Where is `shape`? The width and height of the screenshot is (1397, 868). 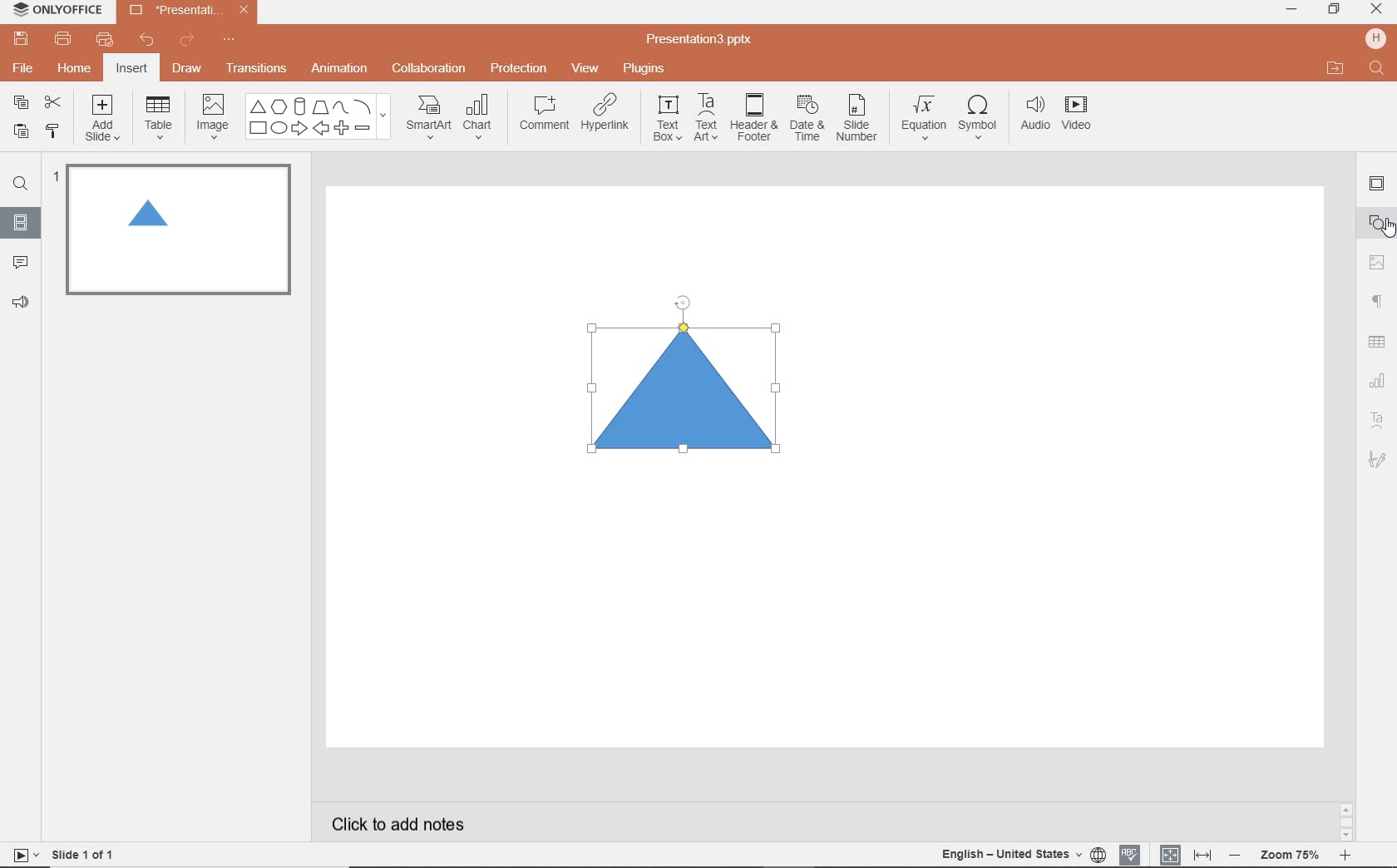
shape is located at coordinates (689, 389).